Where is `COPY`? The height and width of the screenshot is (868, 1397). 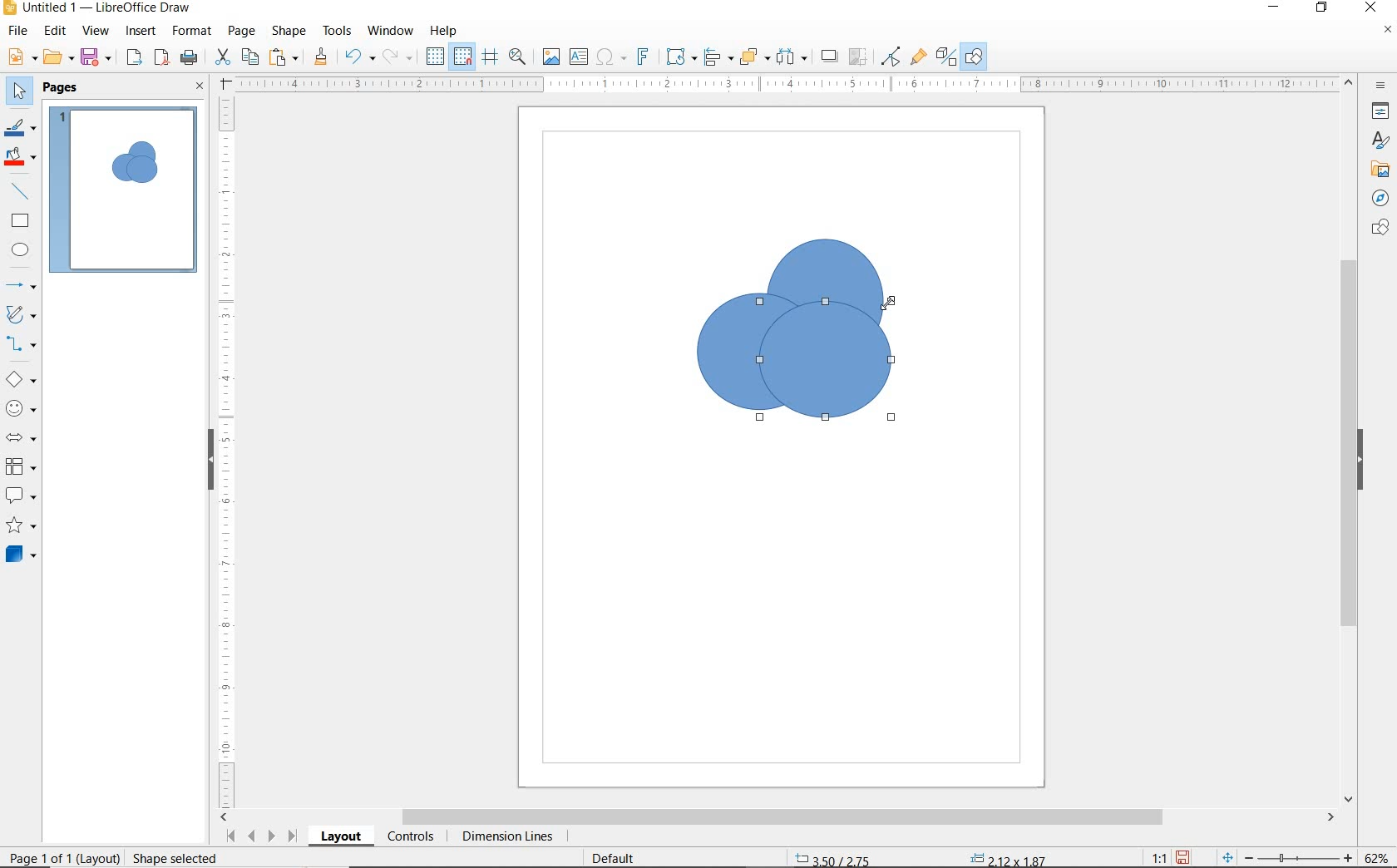 COPY is located at coordinates (250, 56).